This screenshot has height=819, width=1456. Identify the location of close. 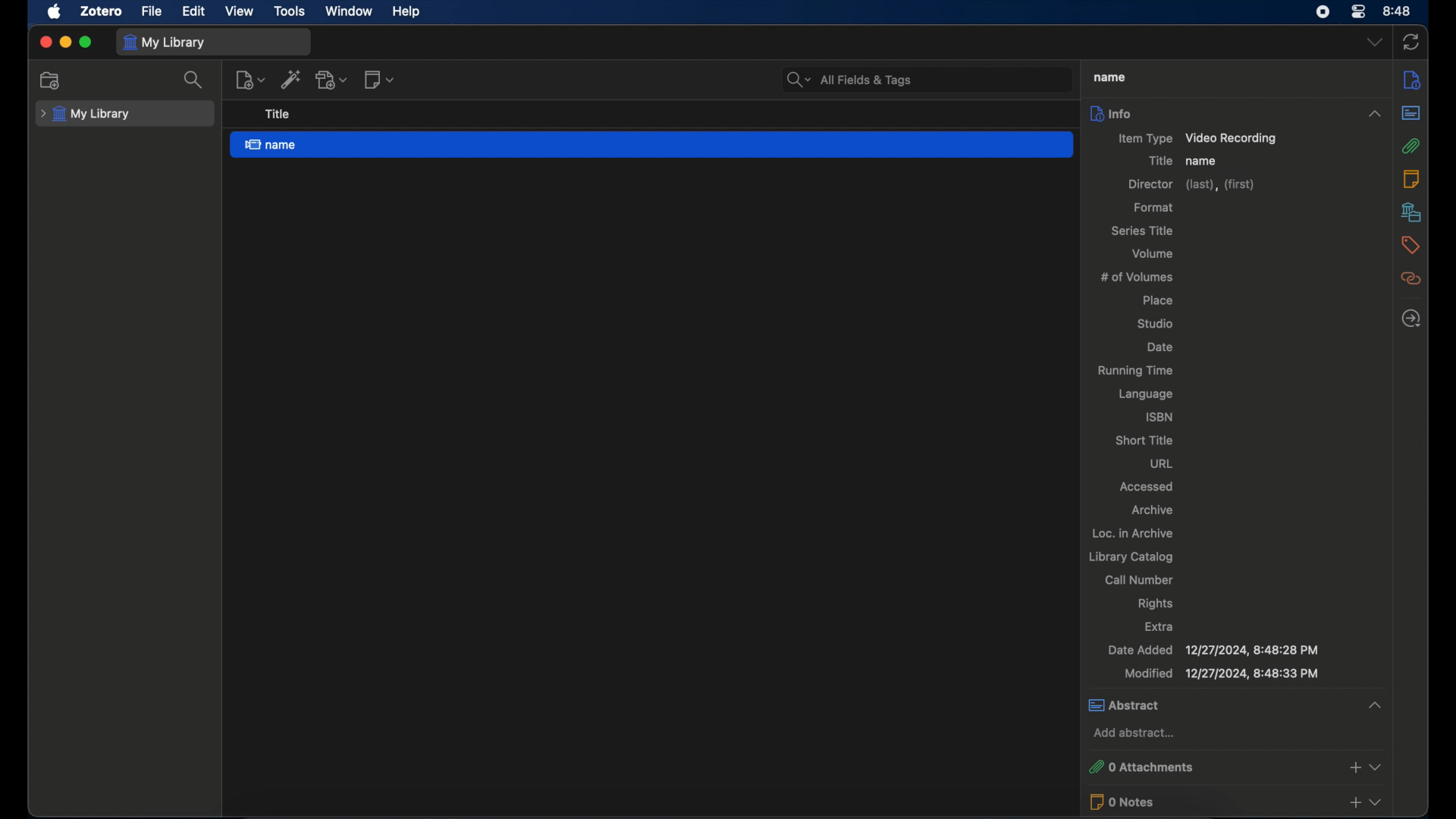
(45, 41).